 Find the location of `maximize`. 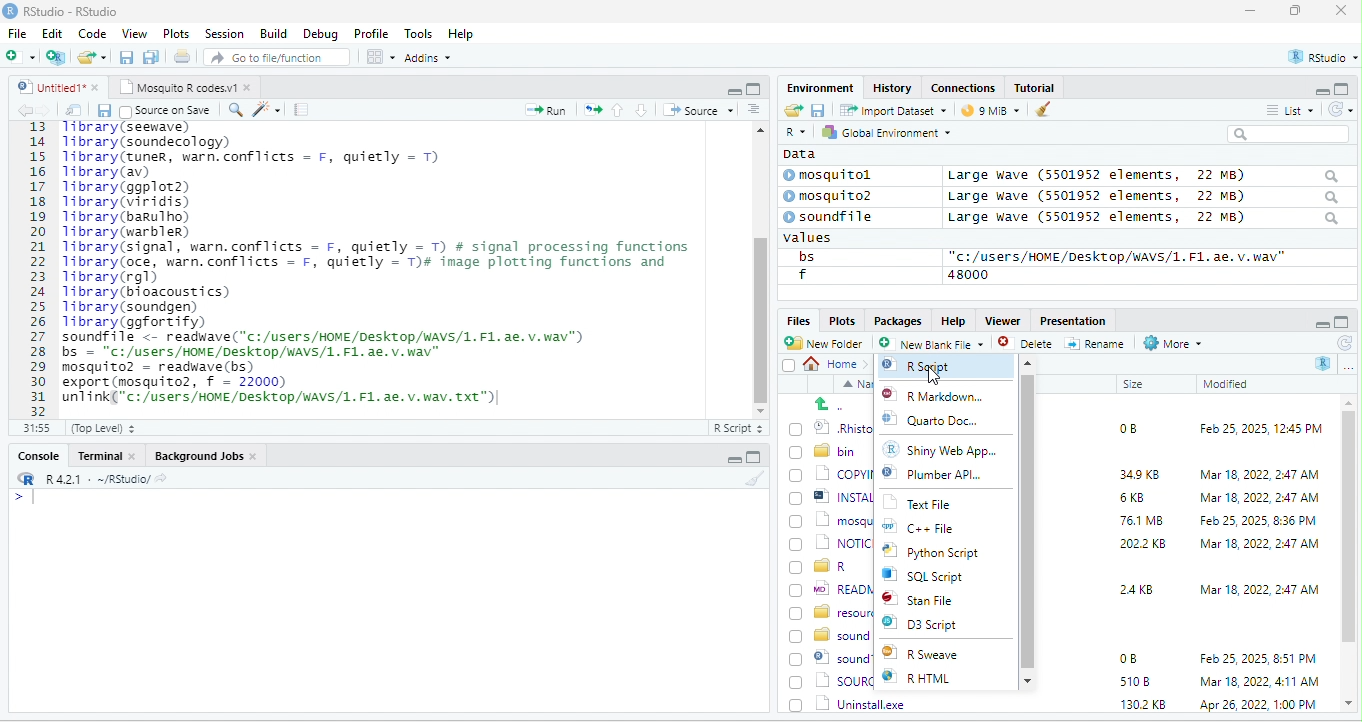

maximize is located at coordinates (1344, 320).